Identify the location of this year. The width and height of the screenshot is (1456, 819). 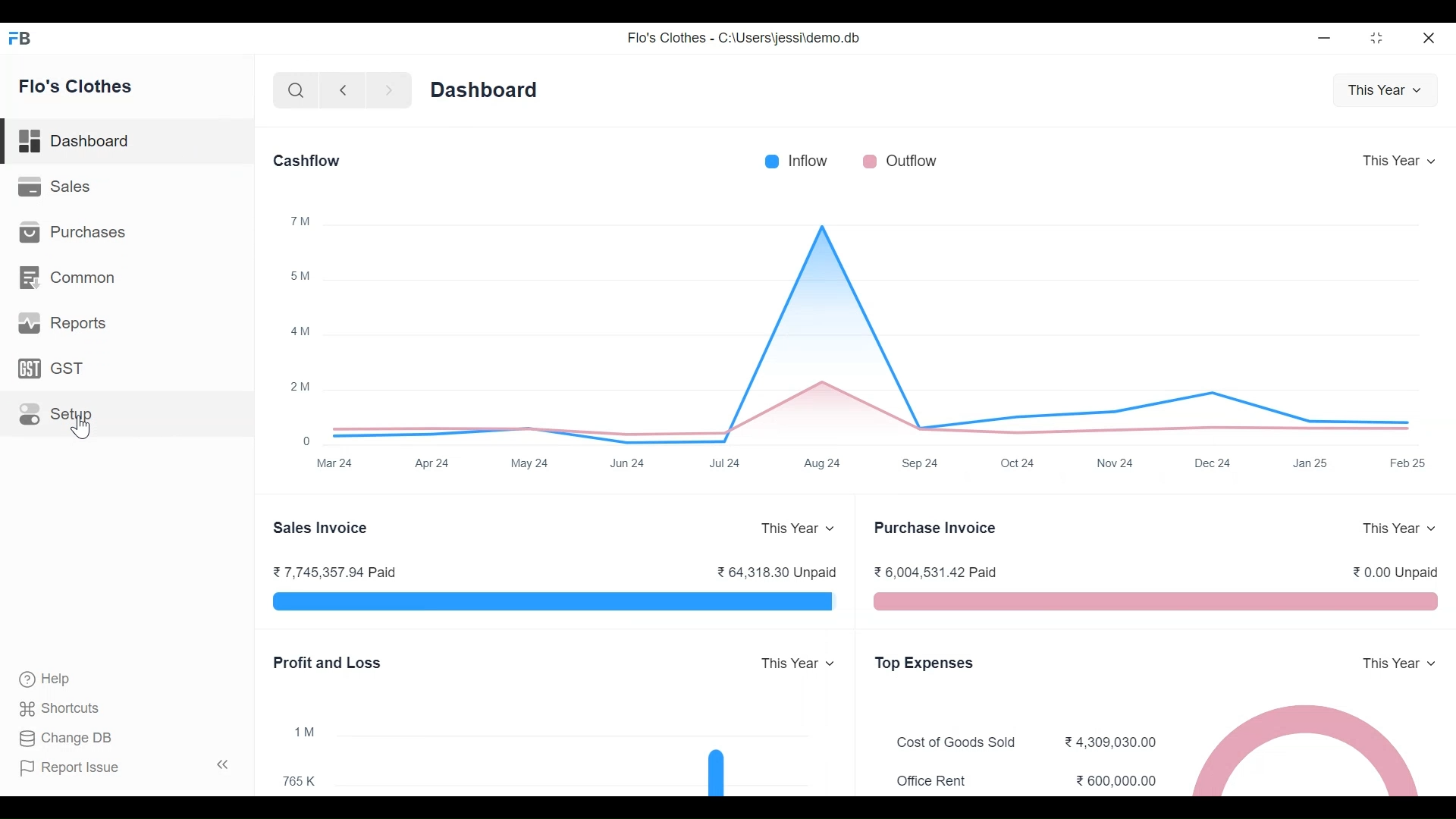
(1399, 160).